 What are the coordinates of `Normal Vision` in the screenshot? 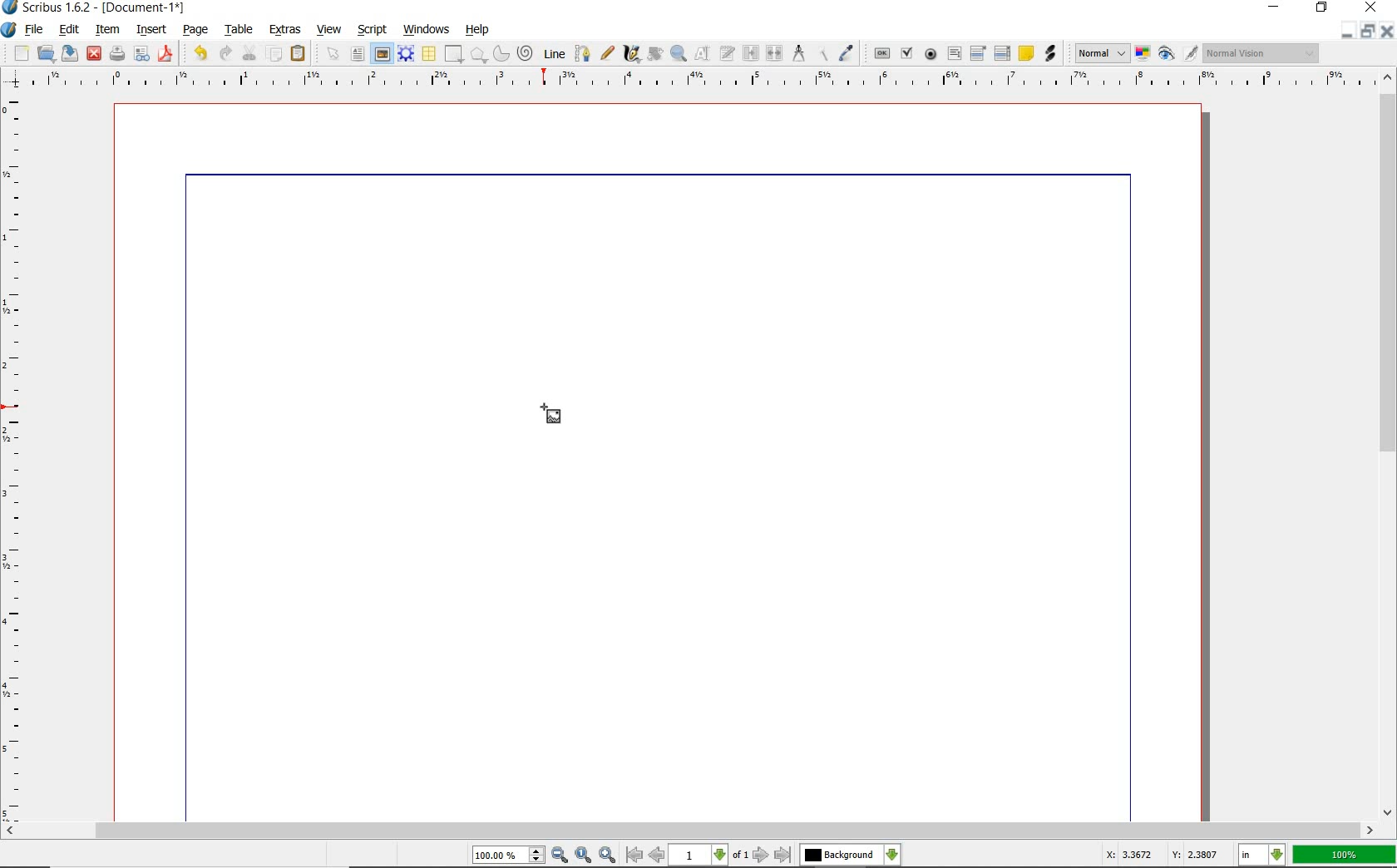 It's located at (1260, 52).